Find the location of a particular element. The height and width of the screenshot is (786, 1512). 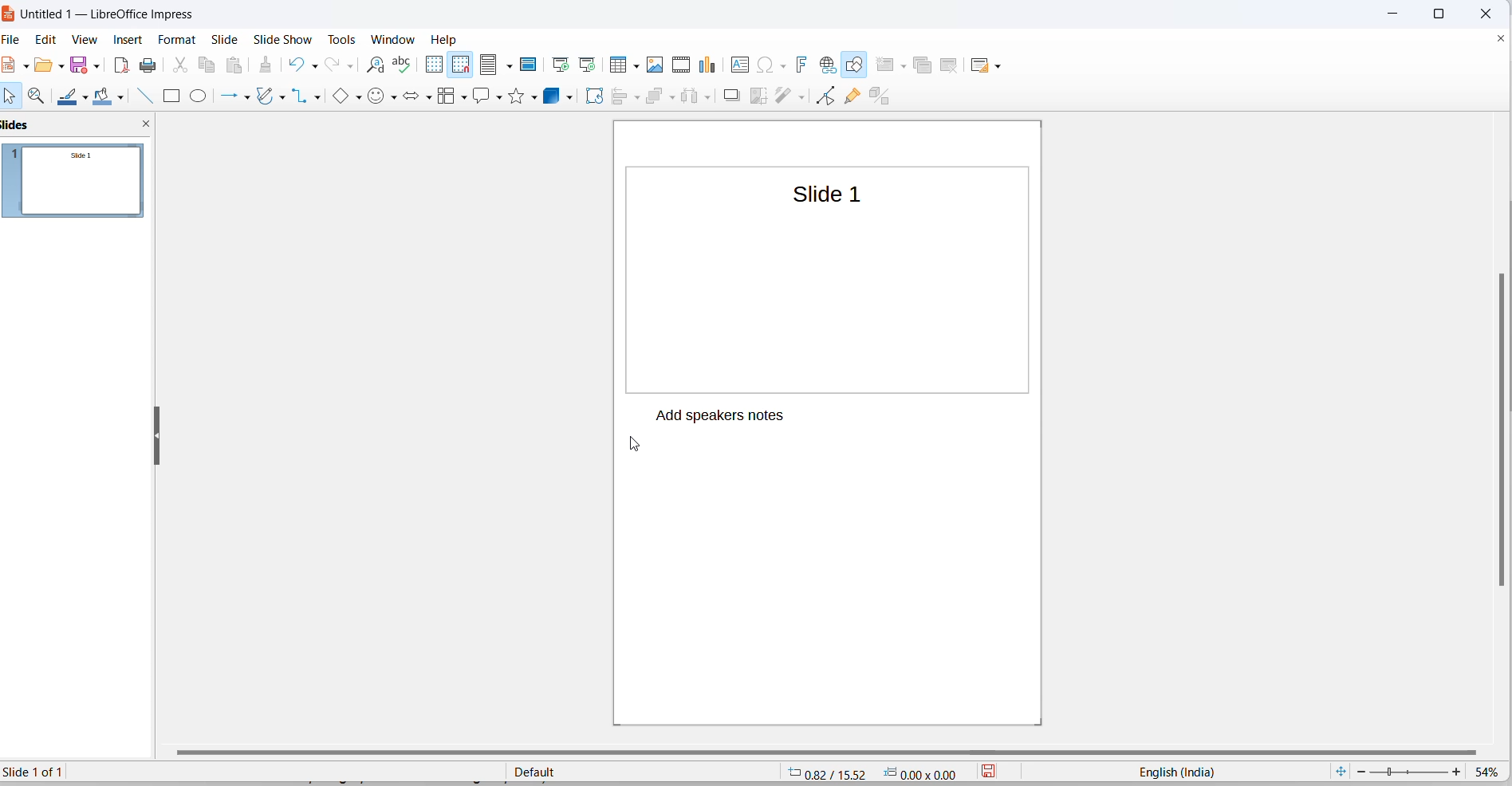

symbol shapes is located at coordinates (376, 97).